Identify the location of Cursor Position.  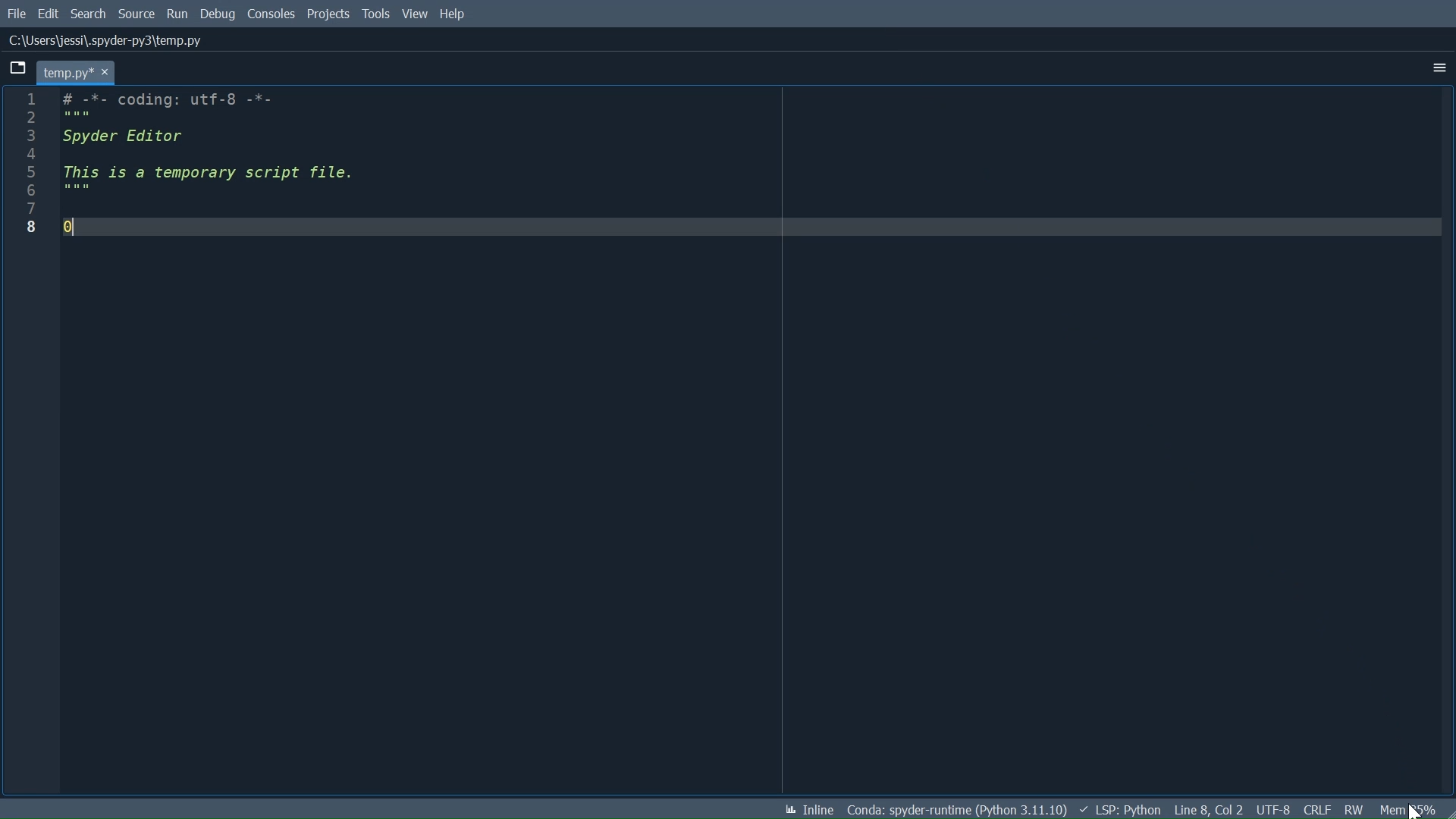
(1207, 809).